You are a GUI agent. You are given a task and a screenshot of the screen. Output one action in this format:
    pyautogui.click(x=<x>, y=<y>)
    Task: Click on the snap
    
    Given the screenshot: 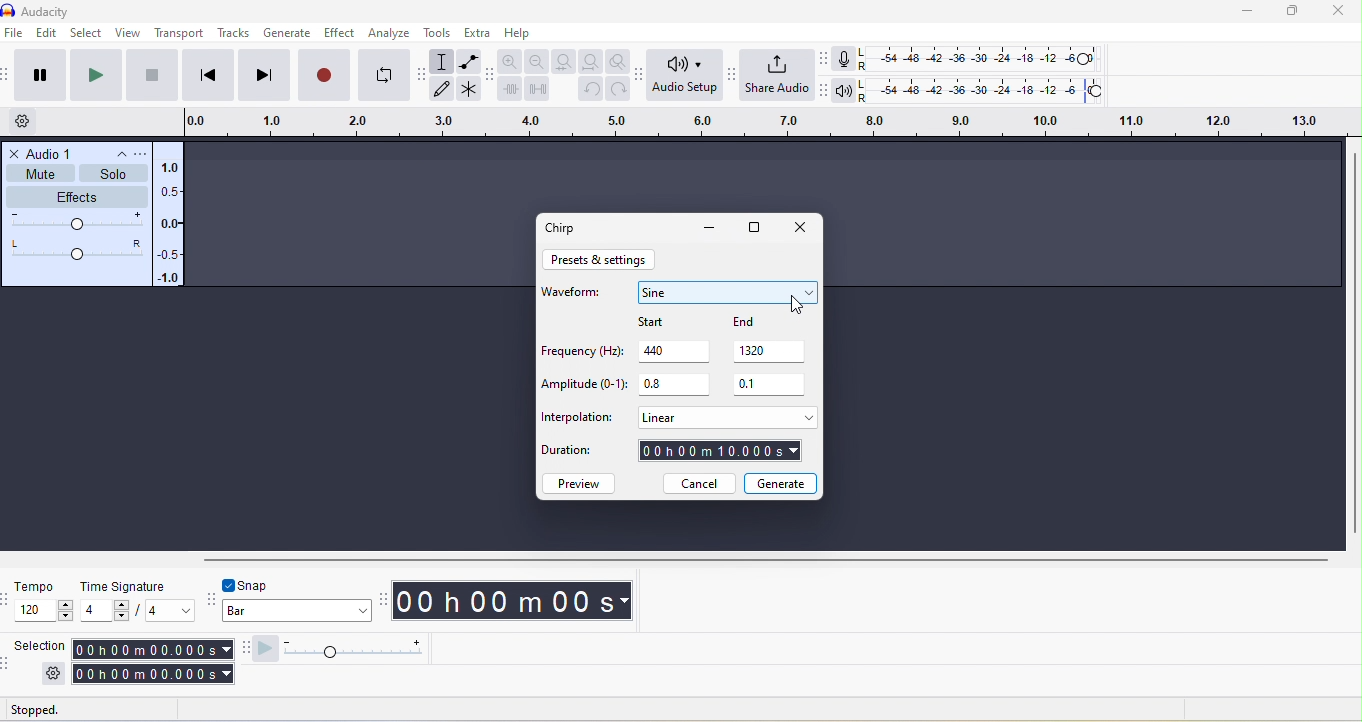 What is the action you would take?
    pyautogui.click(x=264, y=584)
    